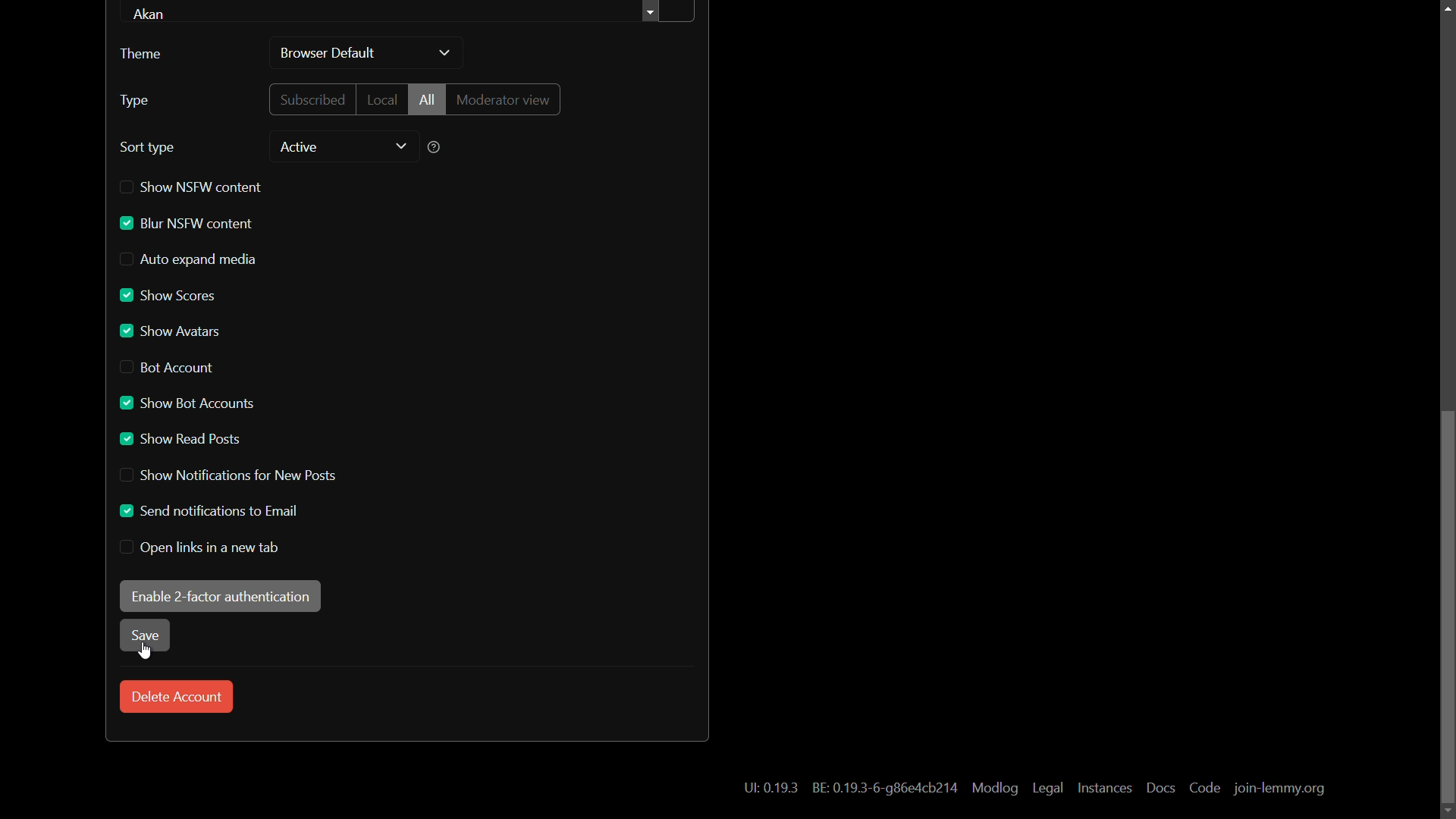  I want to click on moderator view, so click(507, 99).